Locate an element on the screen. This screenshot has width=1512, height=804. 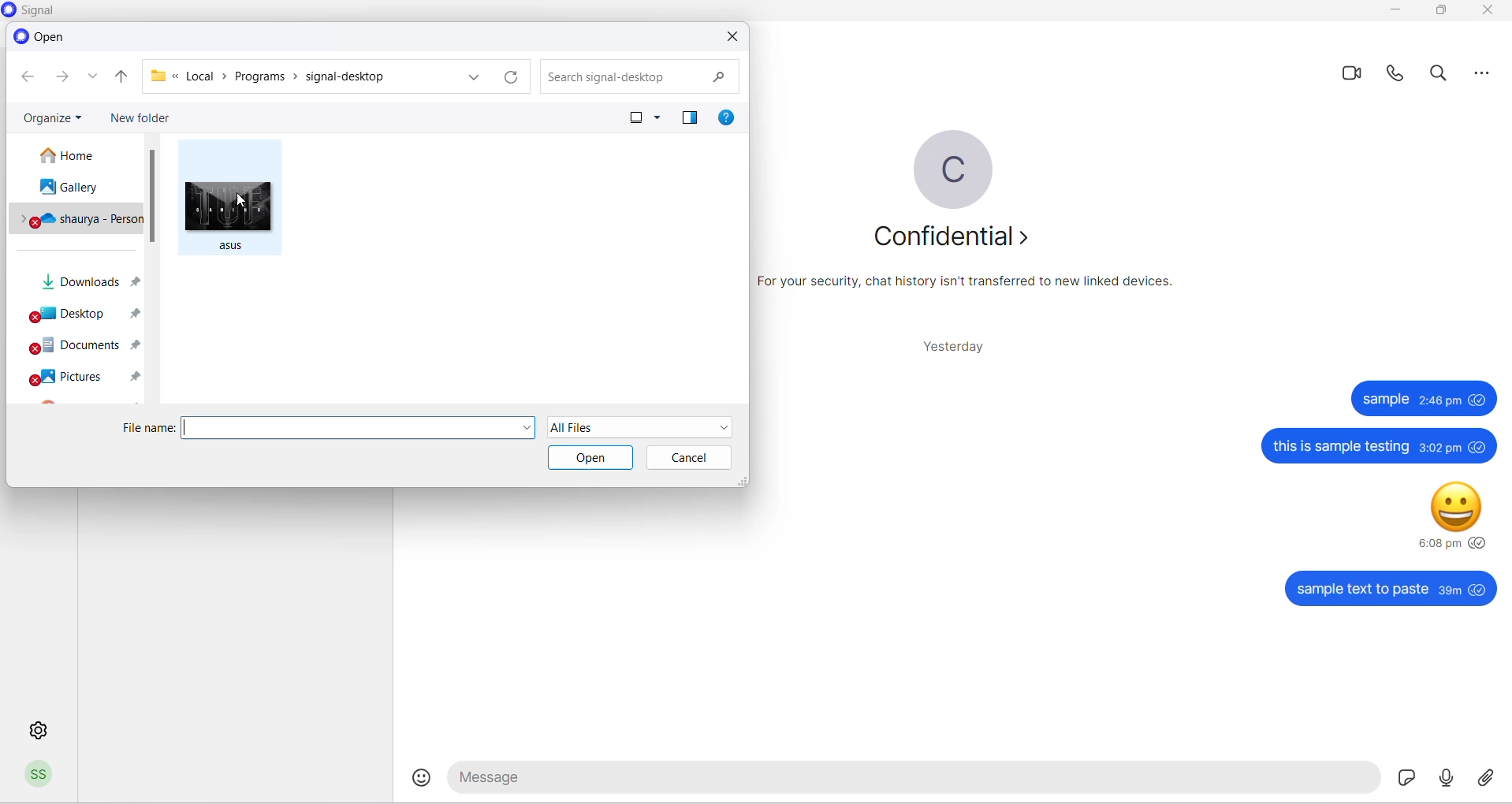
close is located at coordinates (733, 37).